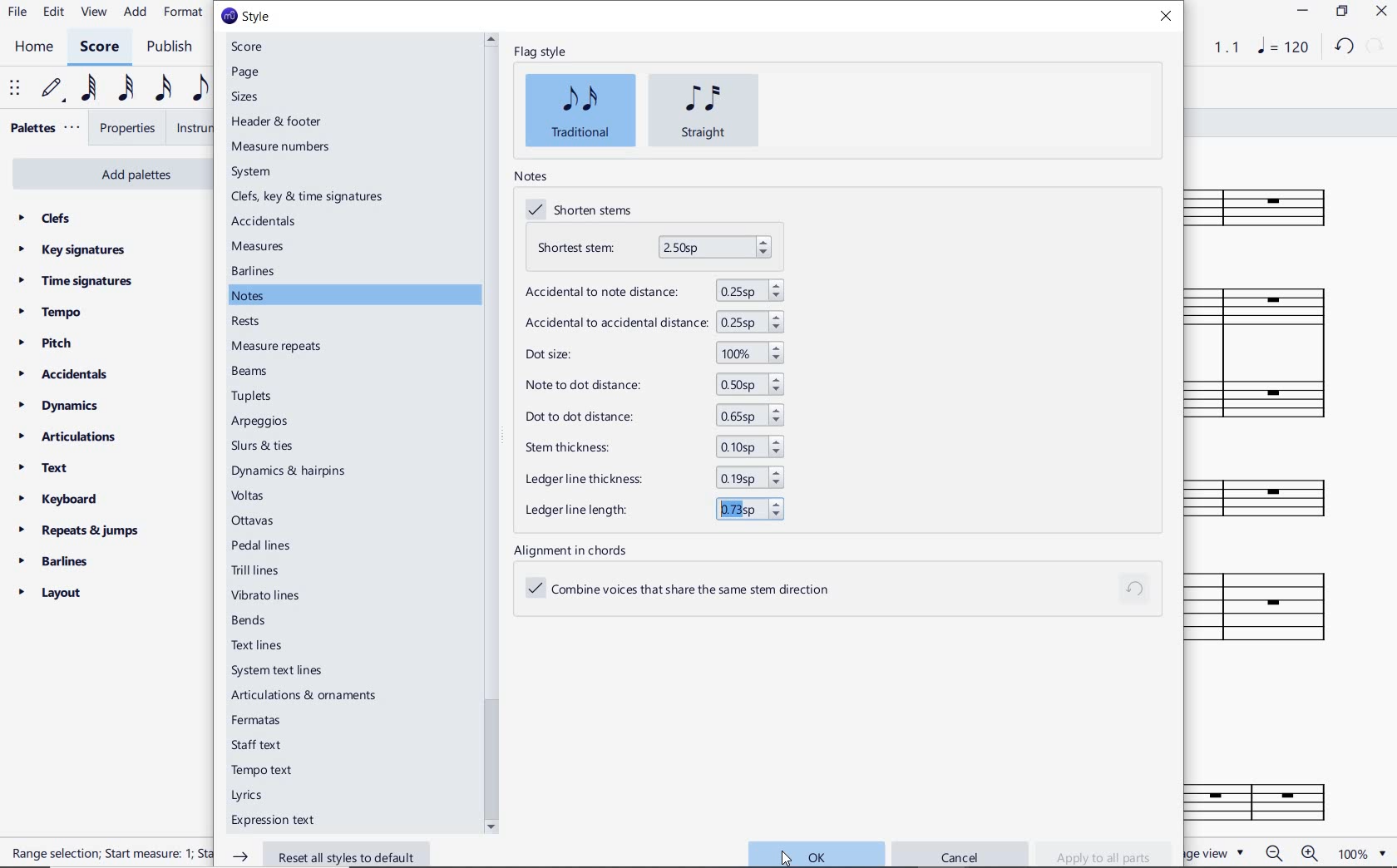  I want to click on accidentals, so click(265, 223).